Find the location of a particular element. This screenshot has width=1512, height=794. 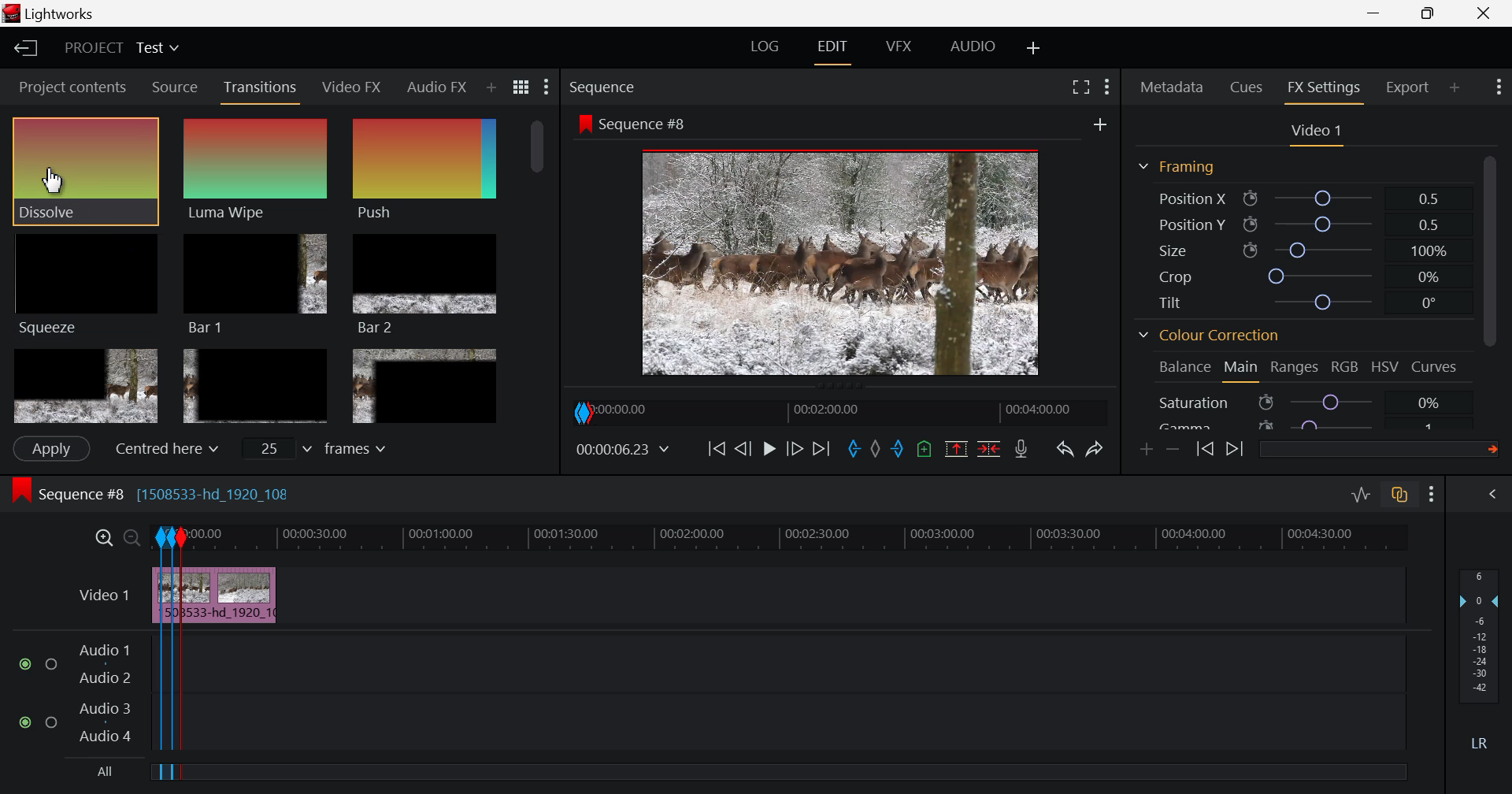

Back to Homepage is located at coordinates (20, 50).